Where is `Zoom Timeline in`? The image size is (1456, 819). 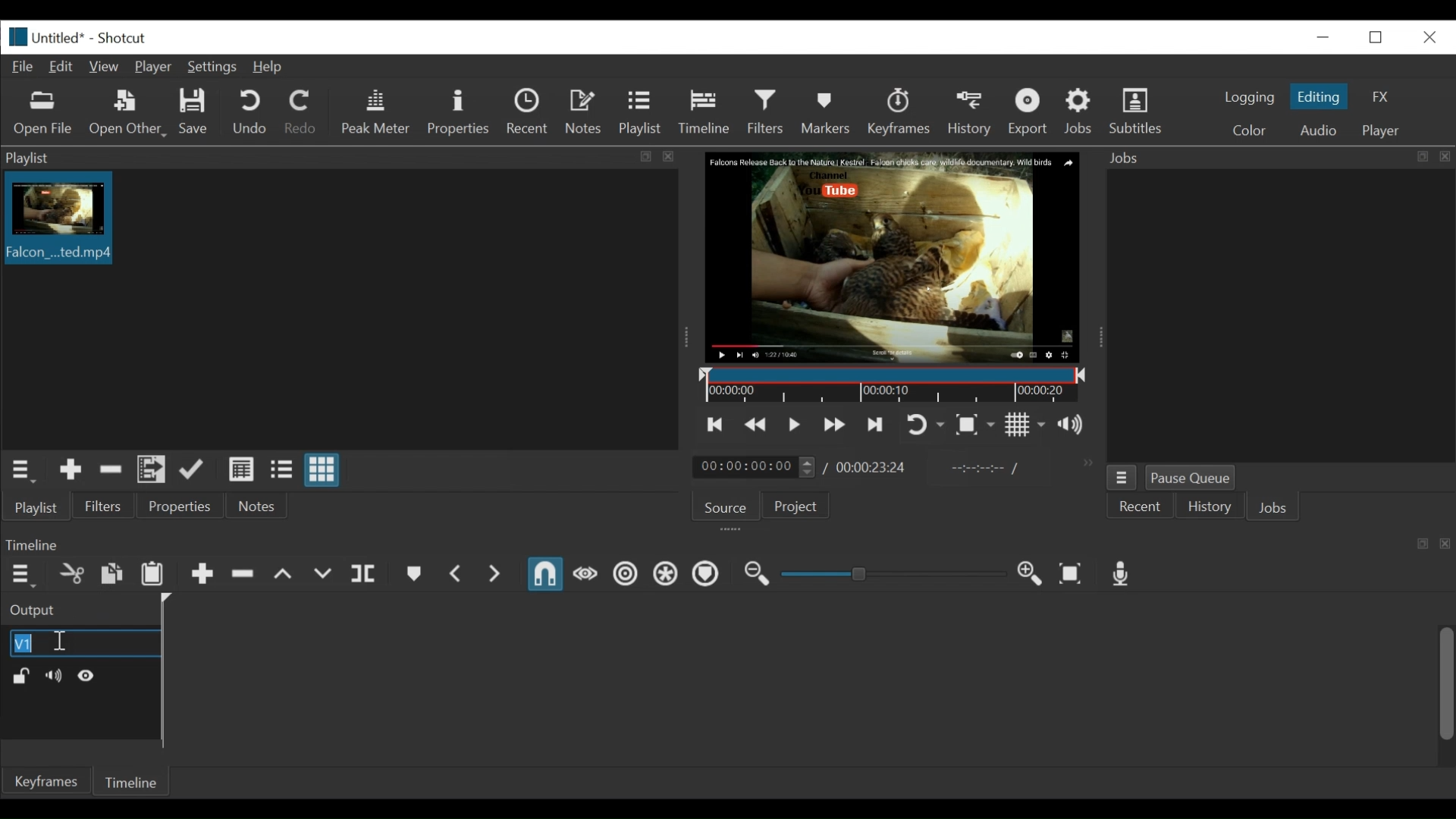 Zoom Timeline in is located at coordinates (1032, 575).